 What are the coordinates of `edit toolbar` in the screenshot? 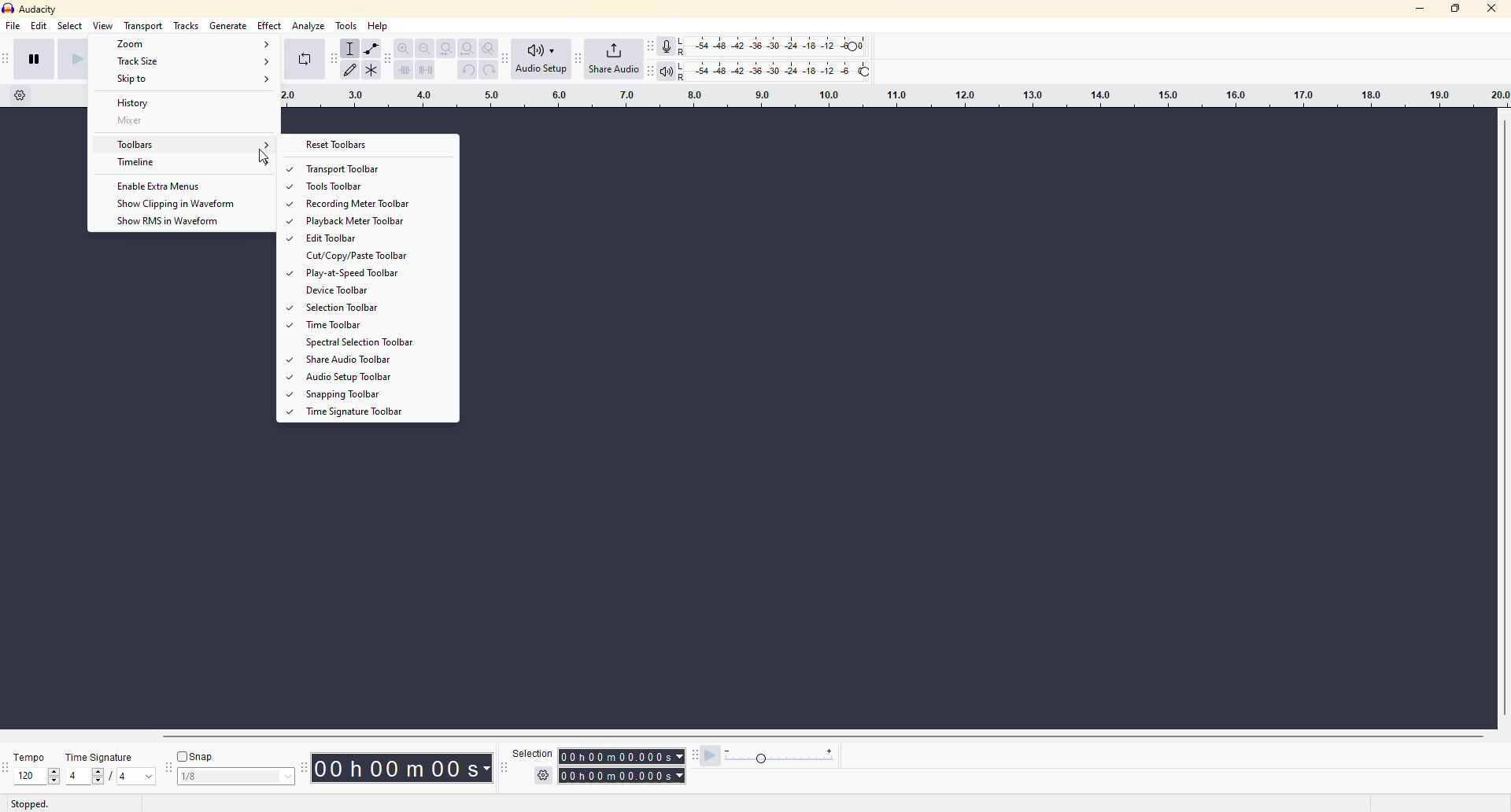 It's located at (326, 238).